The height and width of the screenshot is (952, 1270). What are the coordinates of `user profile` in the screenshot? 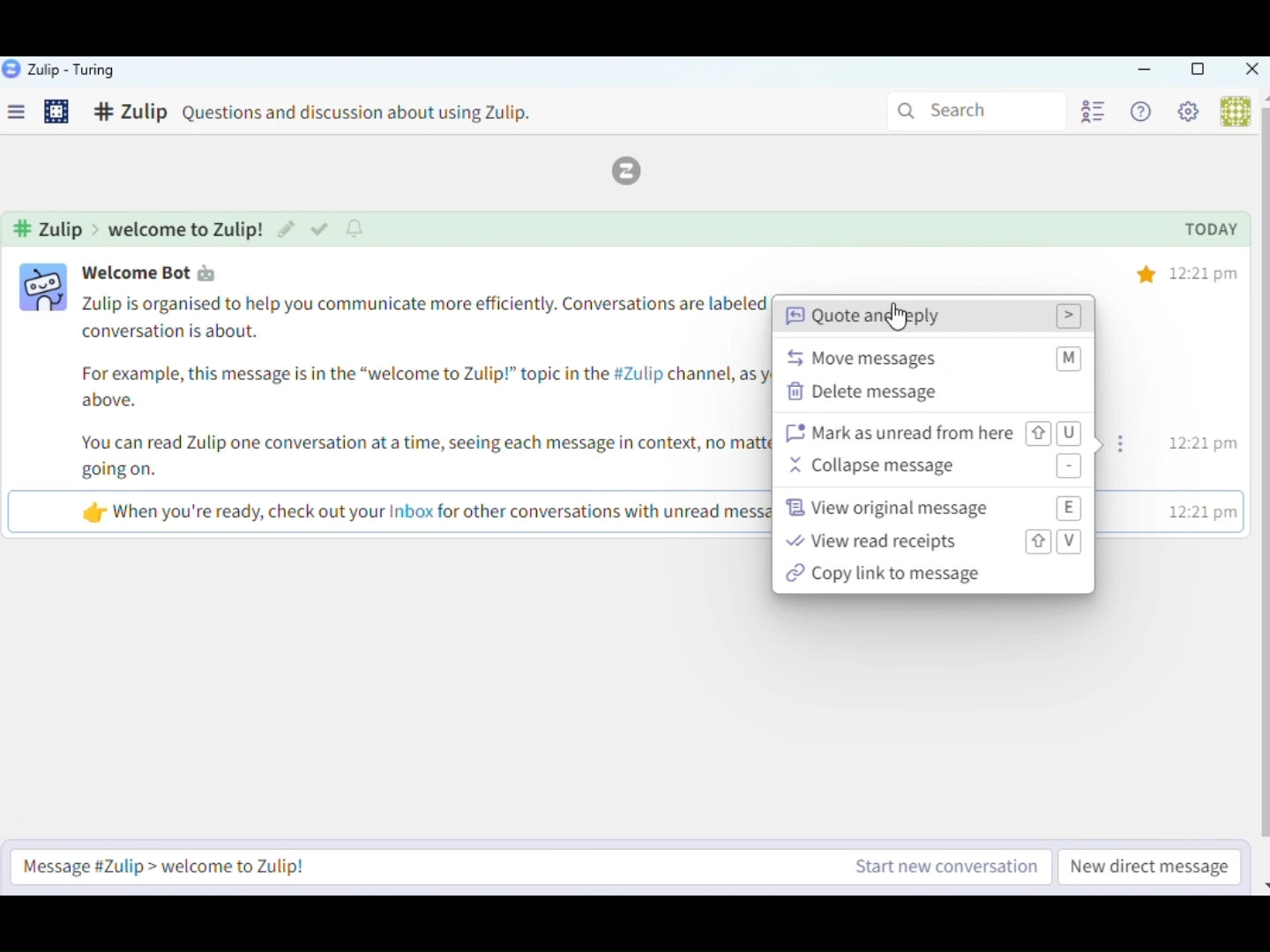 It's located at (45, 288).